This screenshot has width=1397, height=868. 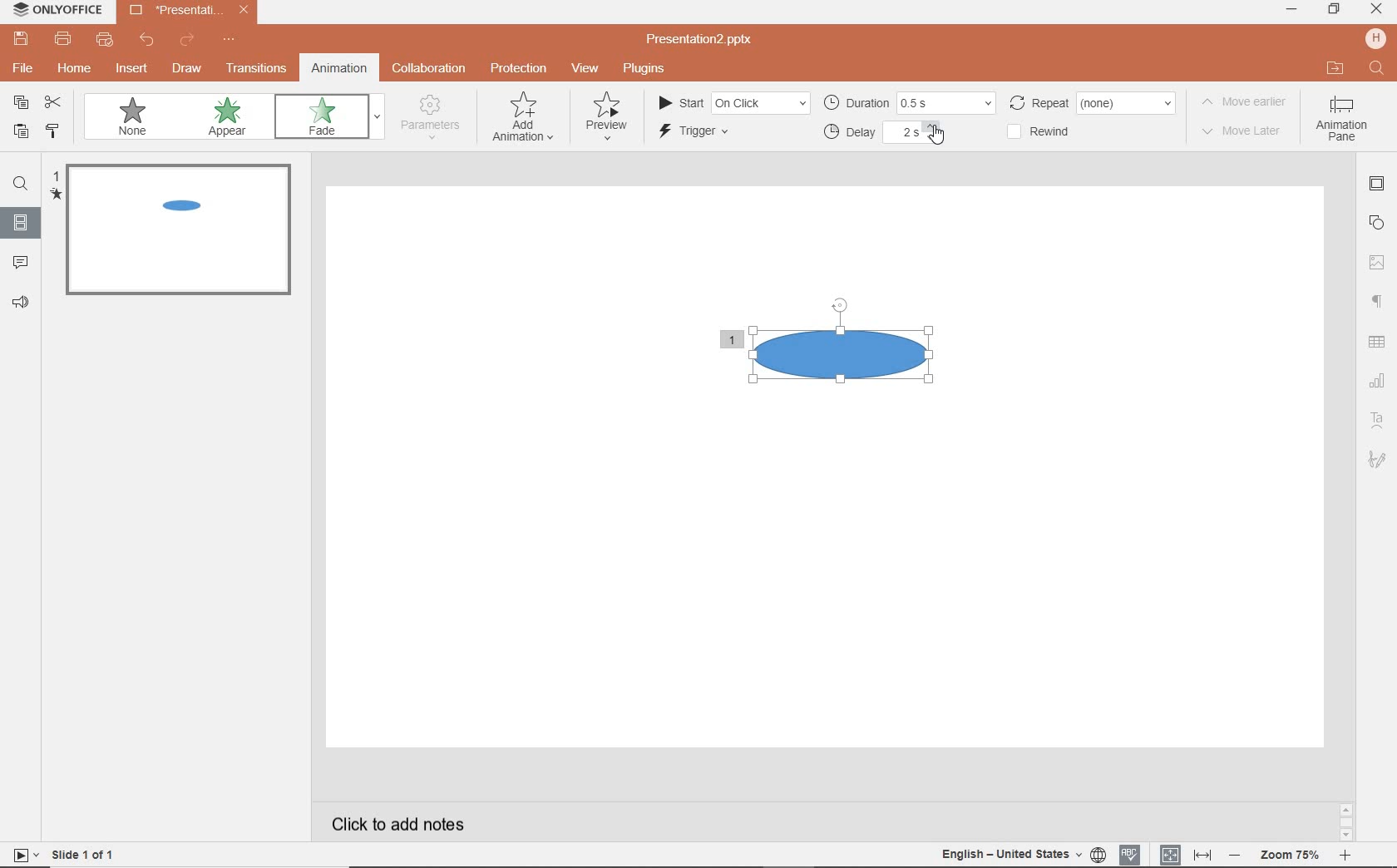 What do you see at coordinates (644, 70) in the screenshot?
I see `plugins` at bounding box center [644, 70].